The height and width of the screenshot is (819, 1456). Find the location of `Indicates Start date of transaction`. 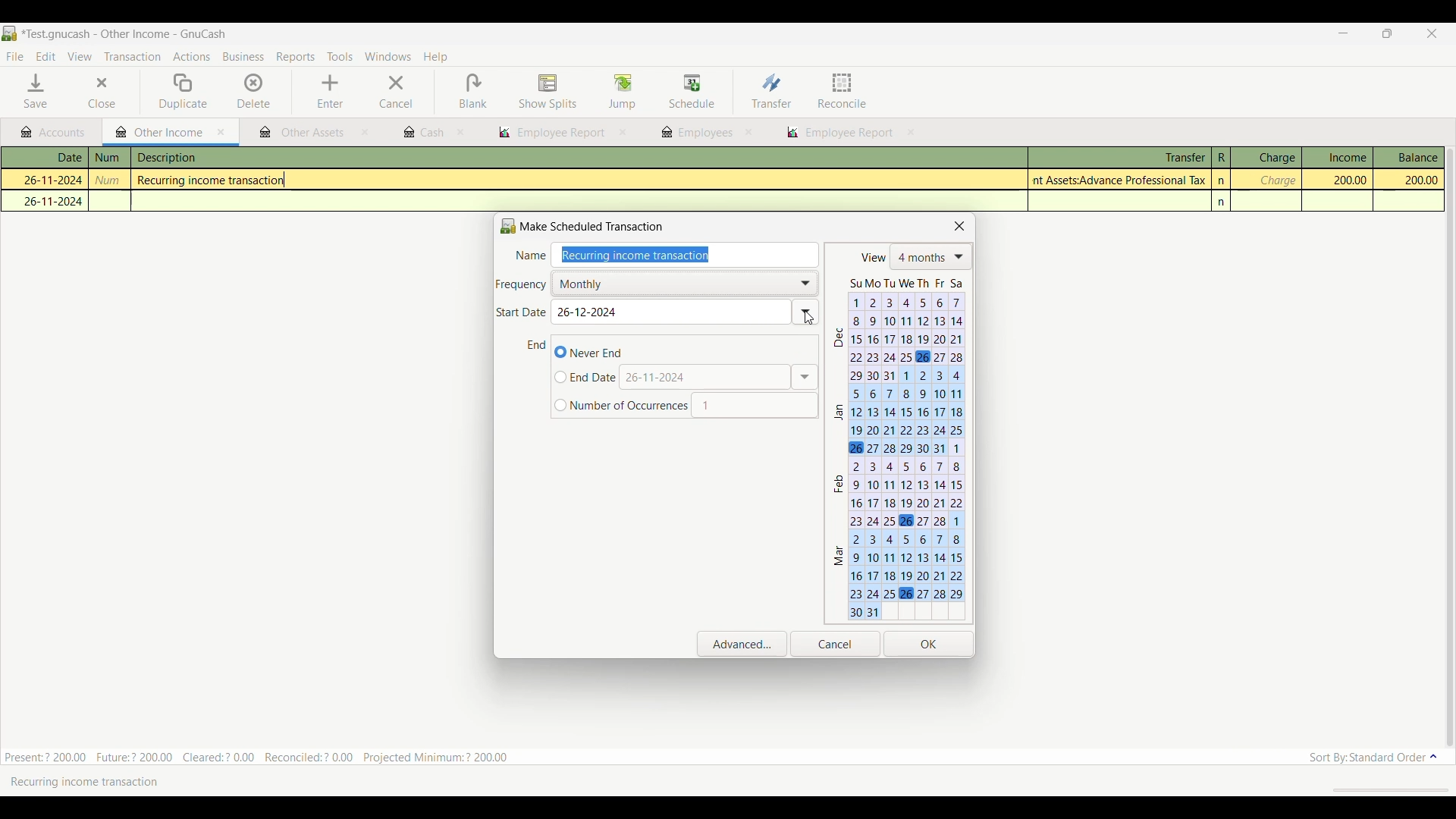

Indicates Start date of transaction is located at coordinates (522, 312).